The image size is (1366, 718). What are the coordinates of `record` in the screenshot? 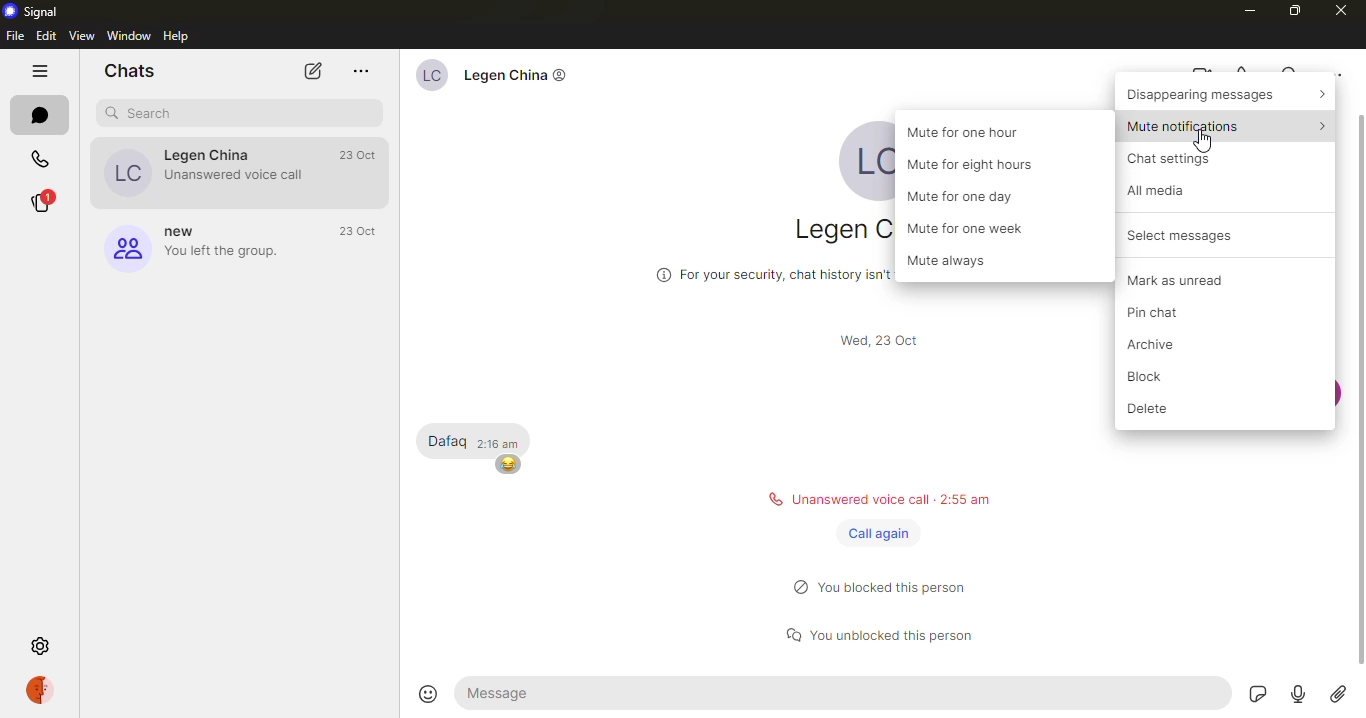 It's located at (1300, 696).